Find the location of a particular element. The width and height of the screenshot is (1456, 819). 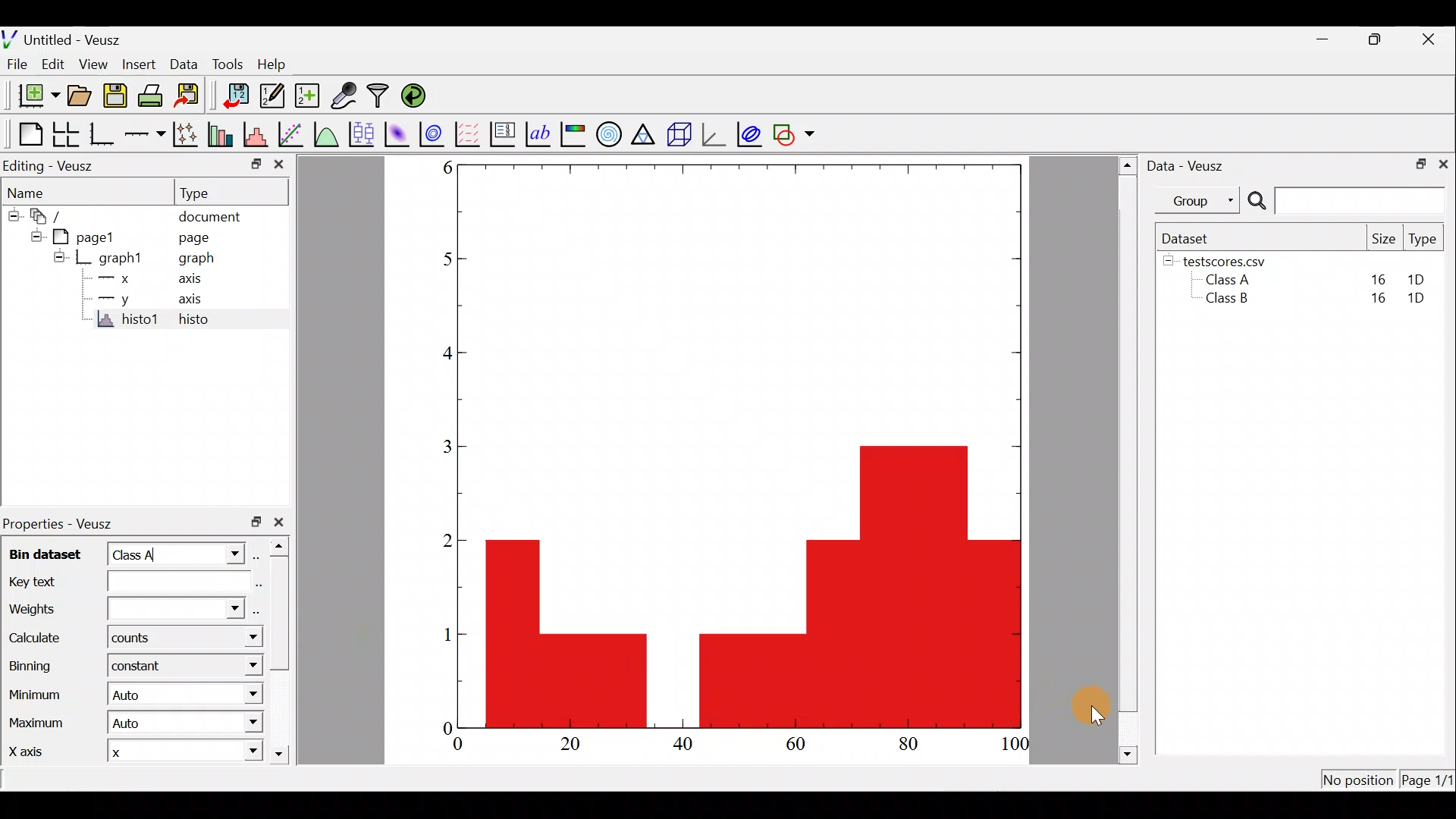

Filter data is located at coordinates (379, 96).